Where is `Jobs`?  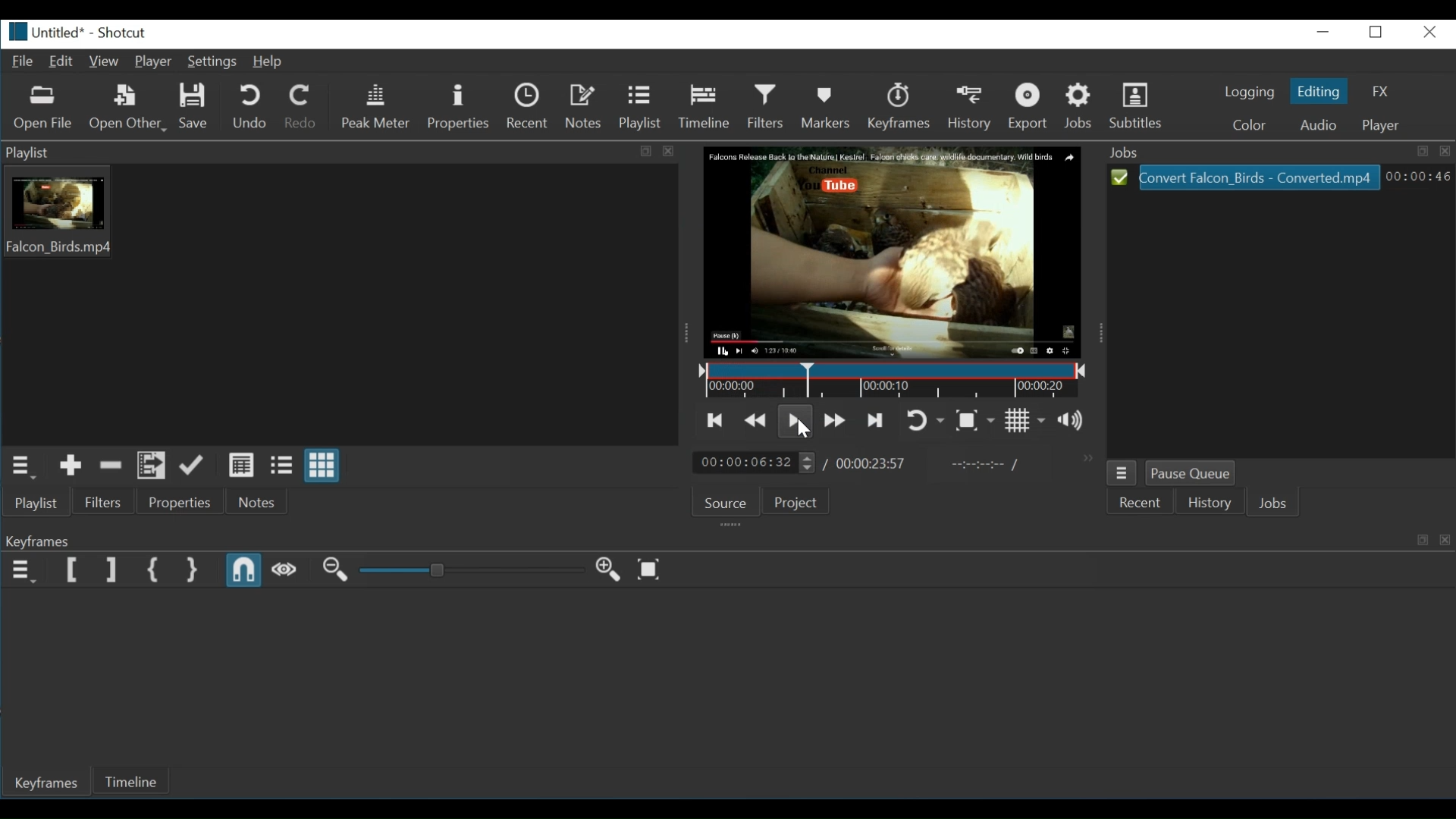 Jobs is located at coordinates (1126, 153).